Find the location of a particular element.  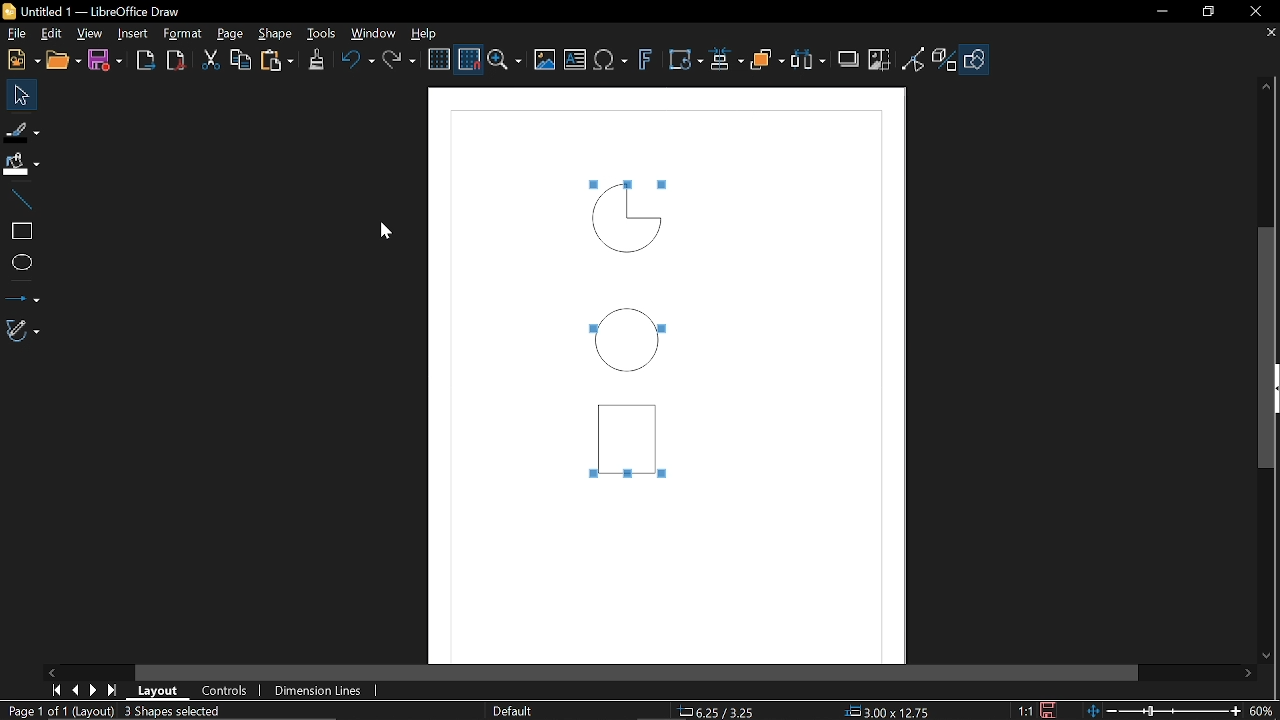

Cursor is located at coordinates (382, 230).